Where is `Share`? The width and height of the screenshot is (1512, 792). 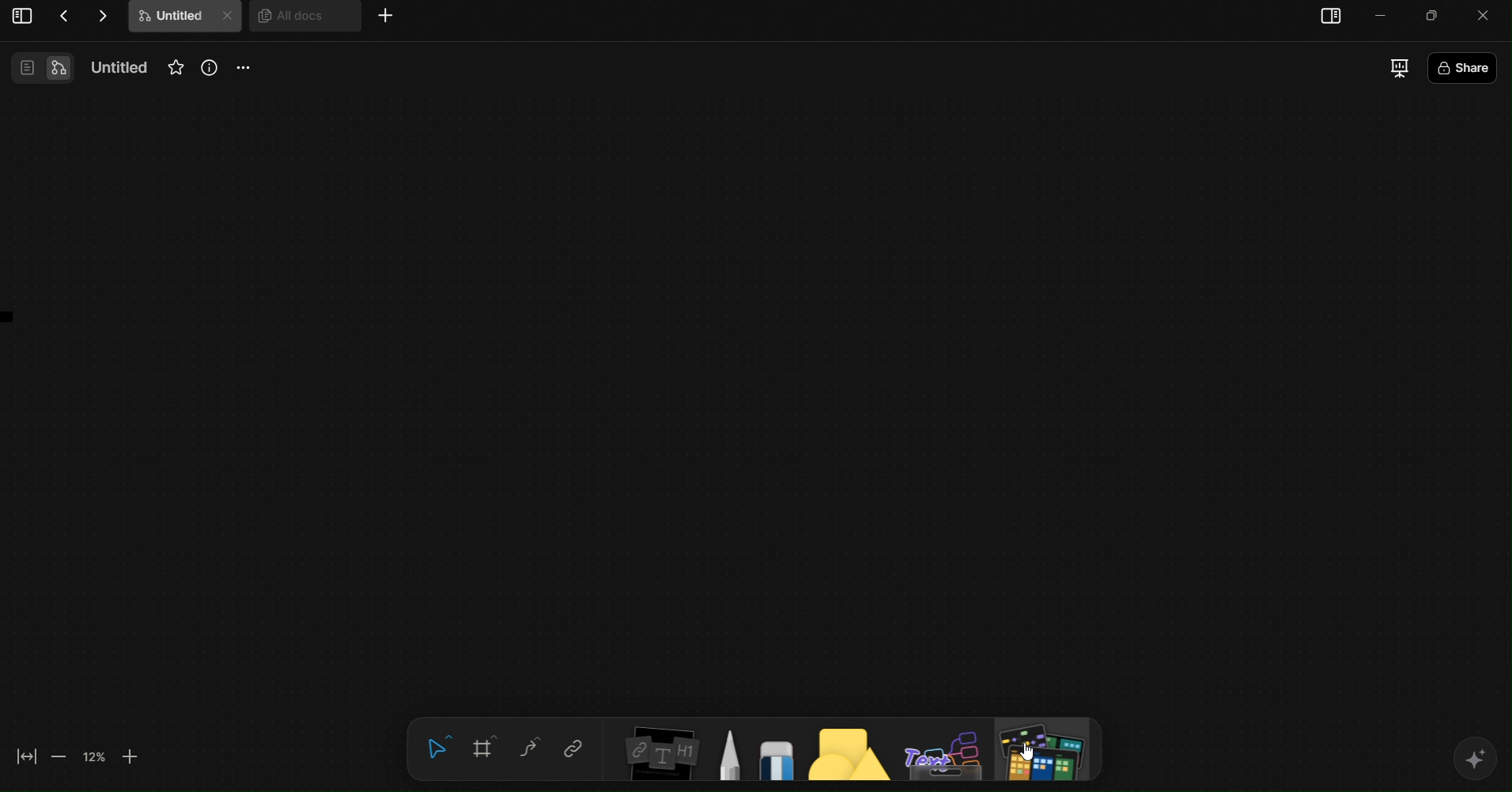
Share is located at coordinates (1498, 71).